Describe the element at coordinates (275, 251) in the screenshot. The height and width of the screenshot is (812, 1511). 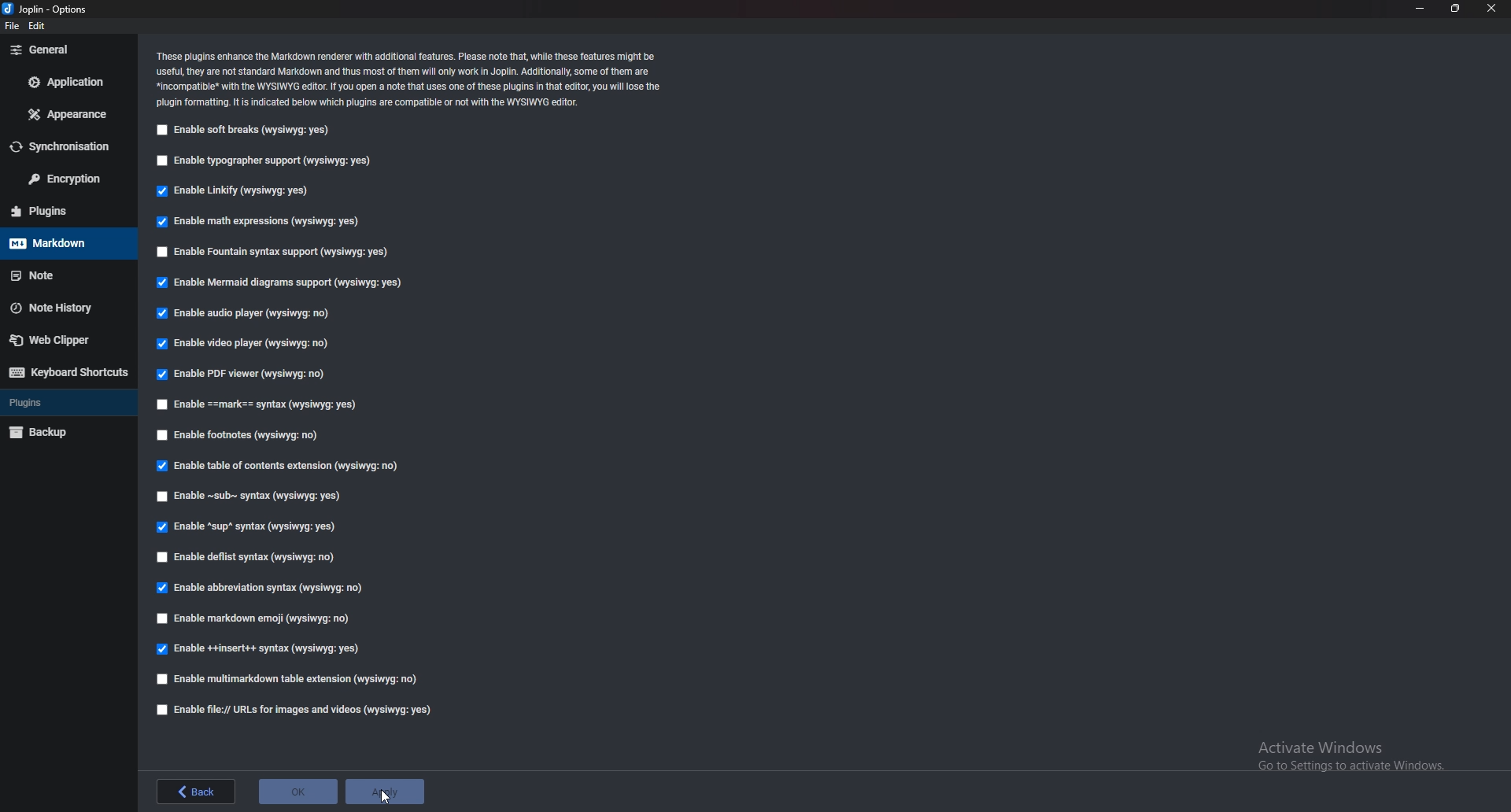
I see `Enable fountain syntax support` at that location.